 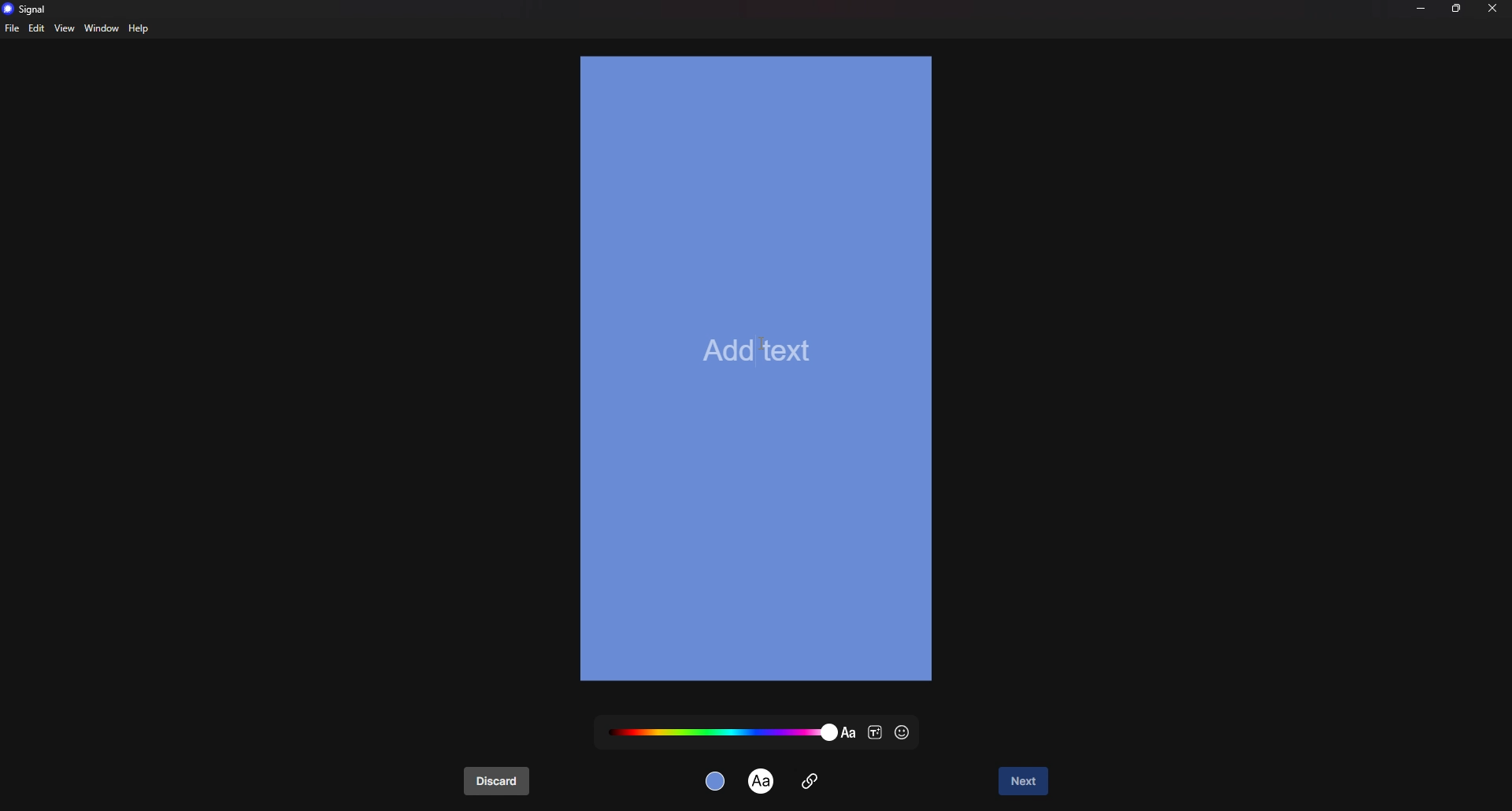 What do you see at coordinates (810, 780) in the screenshot?
I see `attachment` at bounding box center [810, 780].